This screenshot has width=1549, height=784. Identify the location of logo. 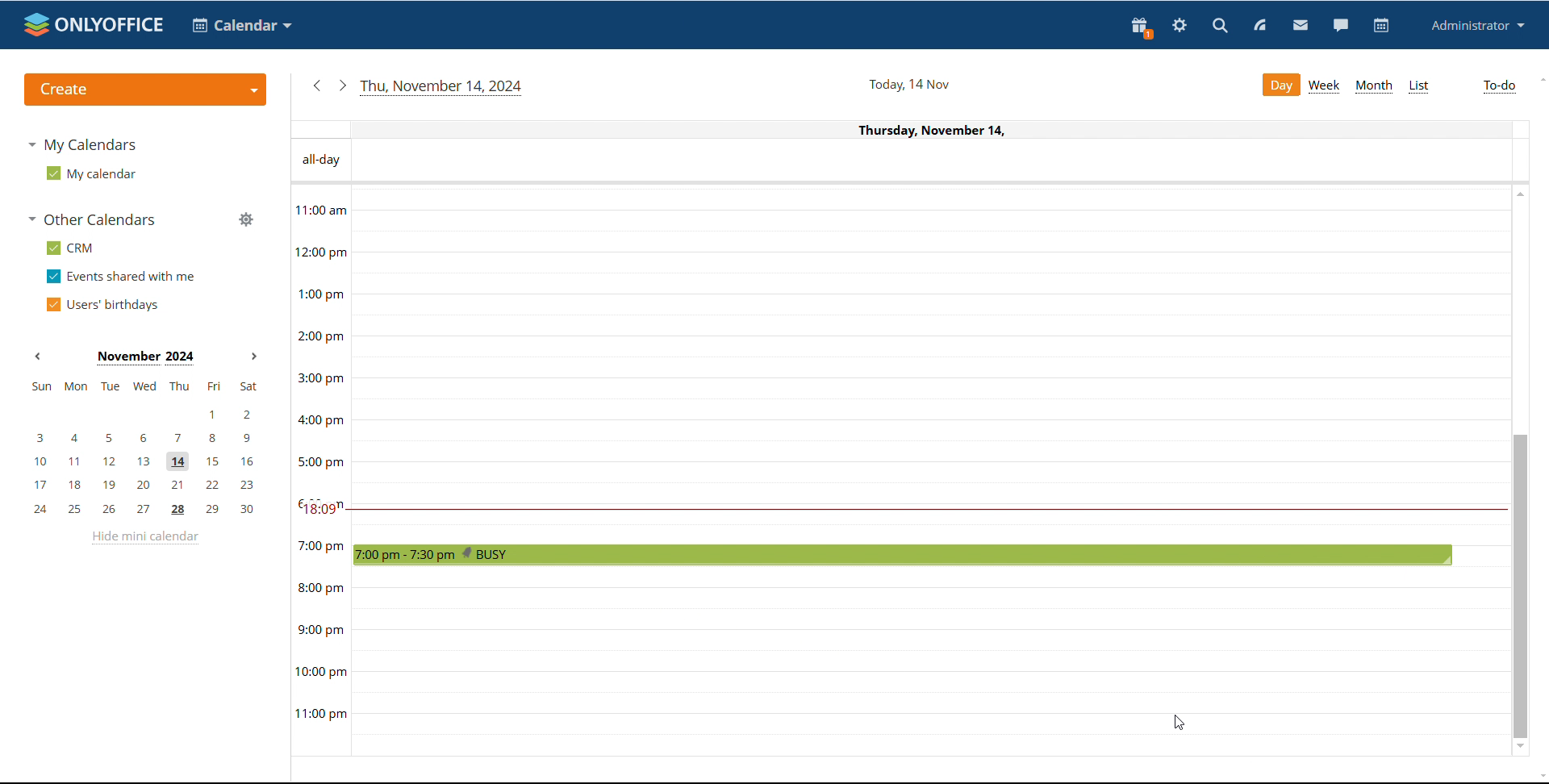
(94, 25).